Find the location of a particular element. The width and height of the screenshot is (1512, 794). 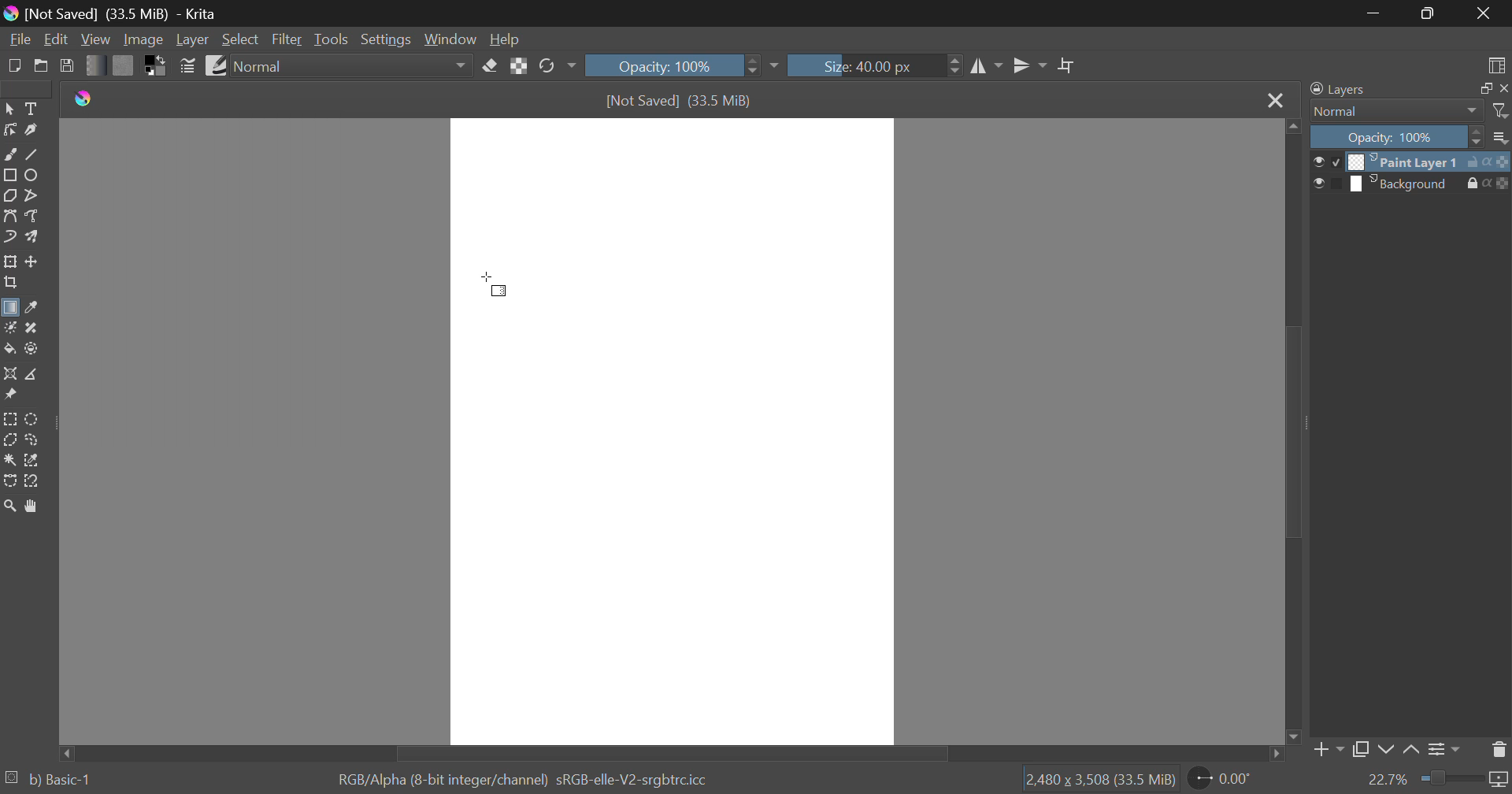

Magnetic Selection is located at coordinates (31, 481).